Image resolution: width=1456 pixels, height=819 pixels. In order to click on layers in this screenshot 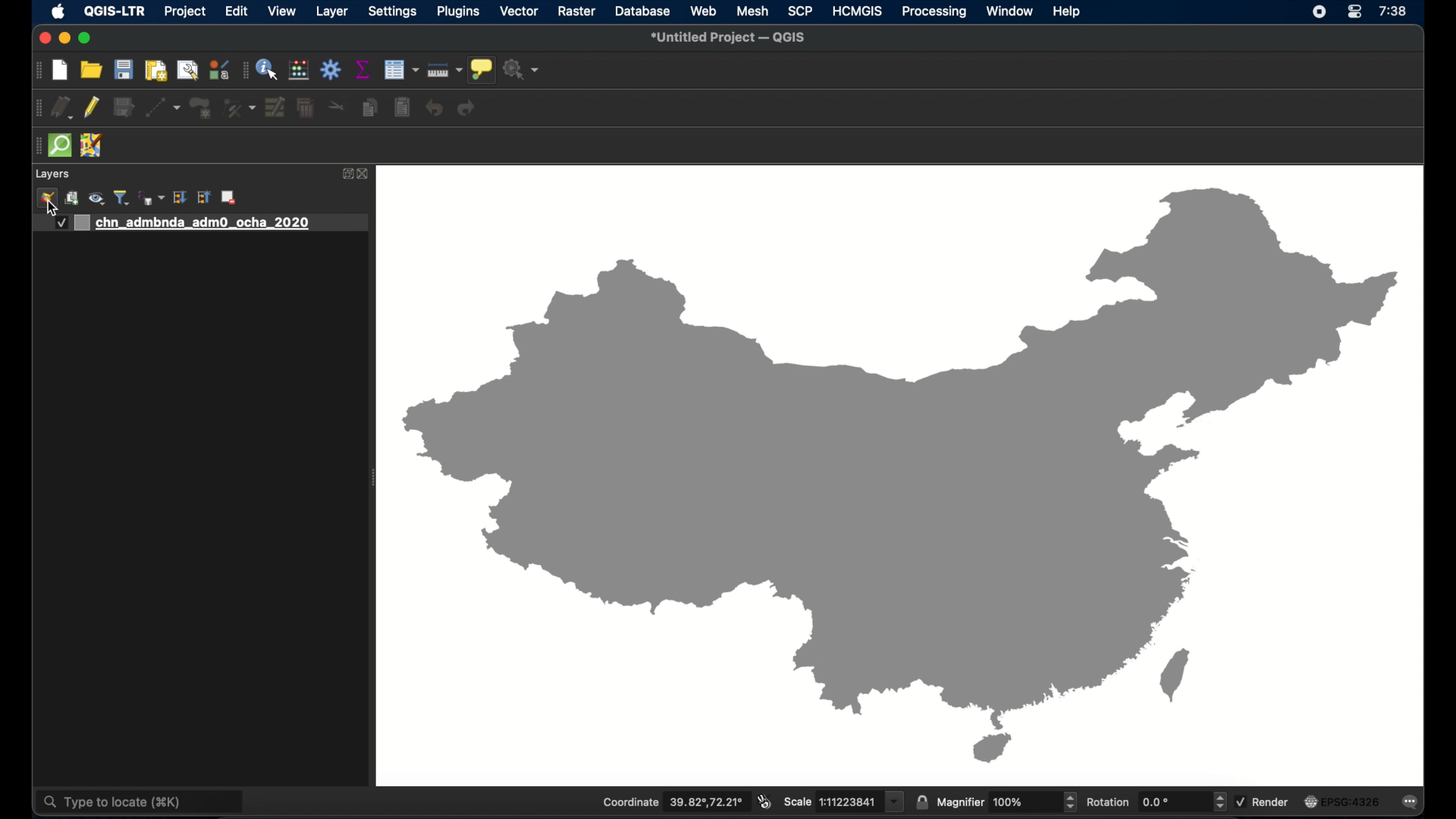, I will do `click(52, 174)`.